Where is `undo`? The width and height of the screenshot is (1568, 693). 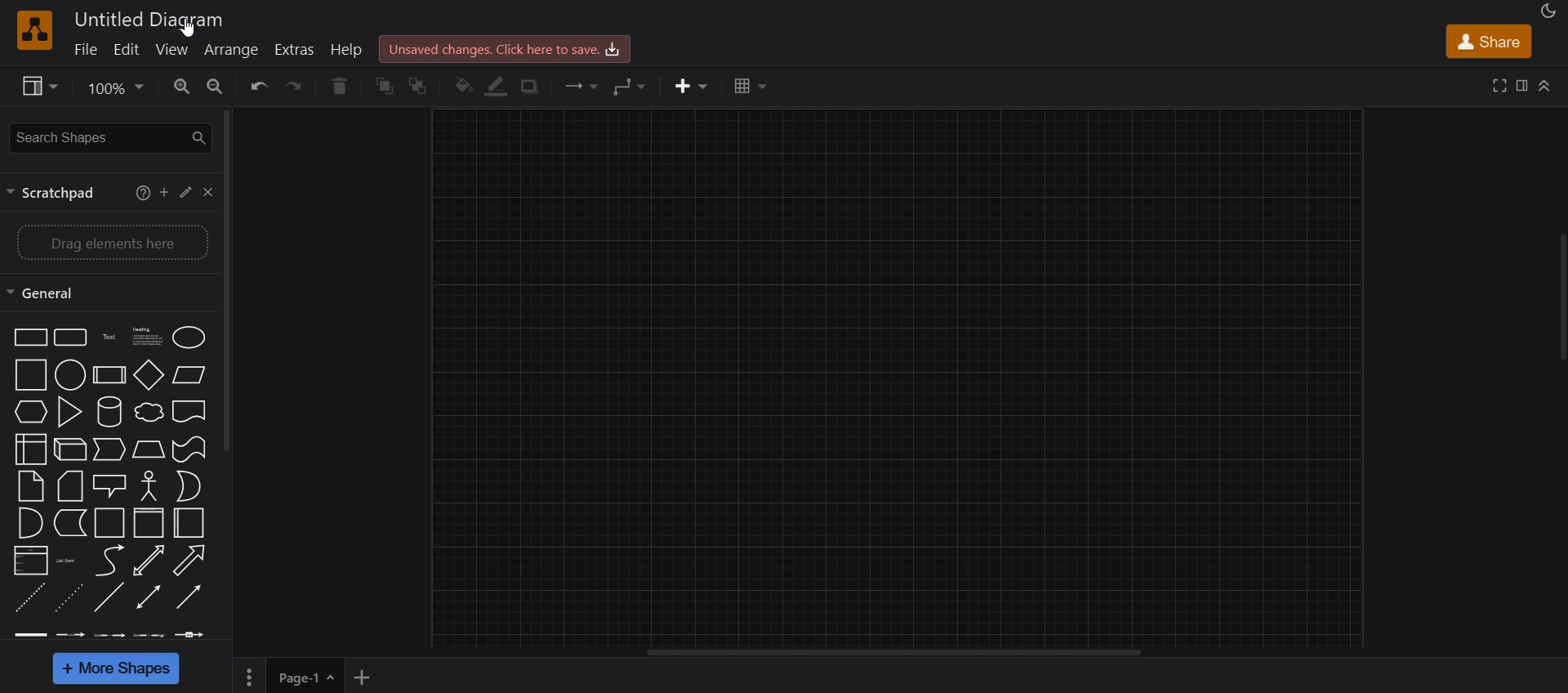
undo is located at coordinates (255, 87).